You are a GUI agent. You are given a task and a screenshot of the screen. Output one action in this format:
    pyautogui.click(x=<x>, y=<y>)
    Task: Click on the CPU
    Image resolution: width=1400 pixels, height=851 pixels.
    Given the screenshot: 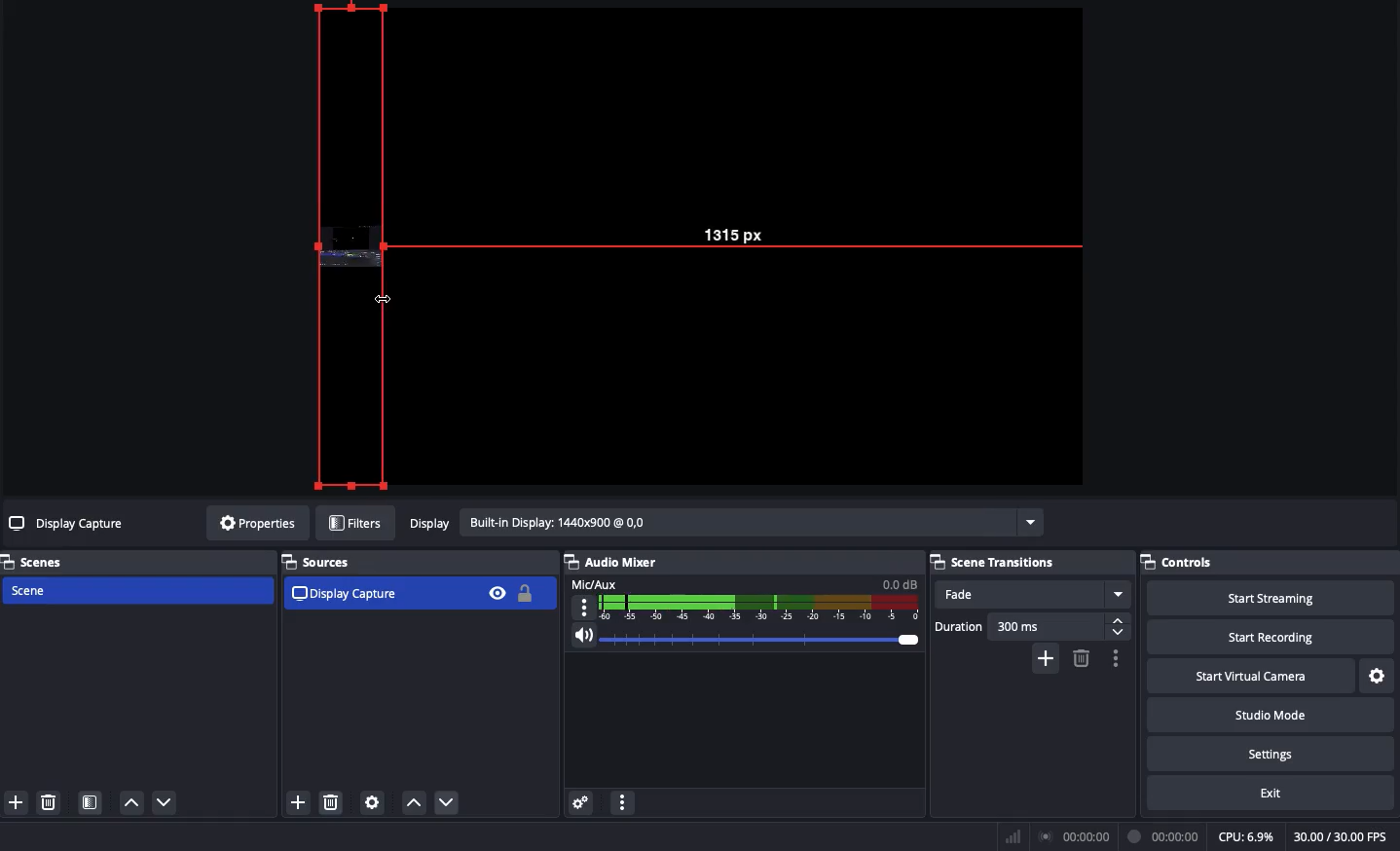 What is the action you would take?
    pyautogui.click(x=1245, y=837)
    